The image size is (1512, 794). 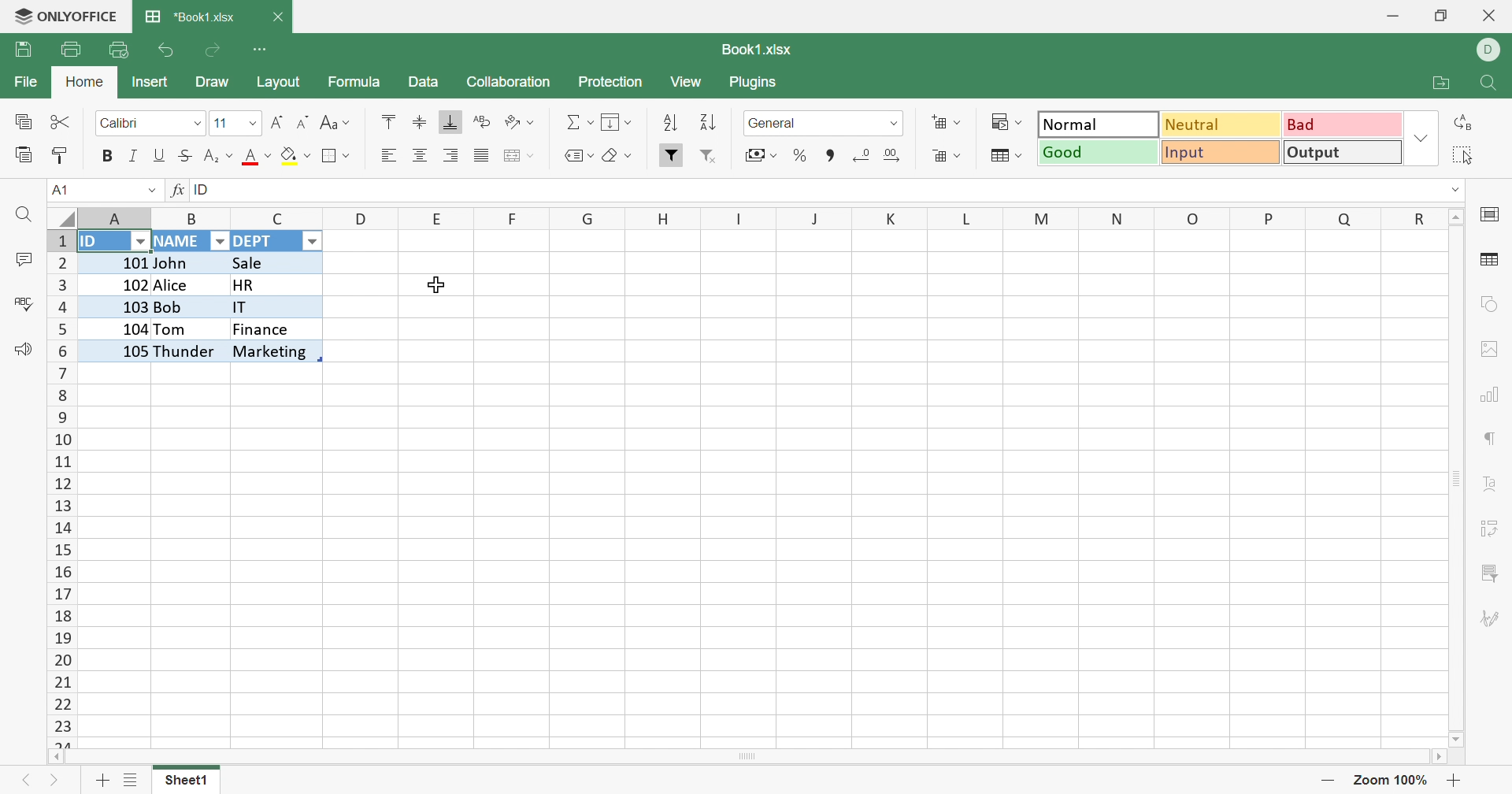 I want to click on Feedback & Support, so click(x=18, y=350).